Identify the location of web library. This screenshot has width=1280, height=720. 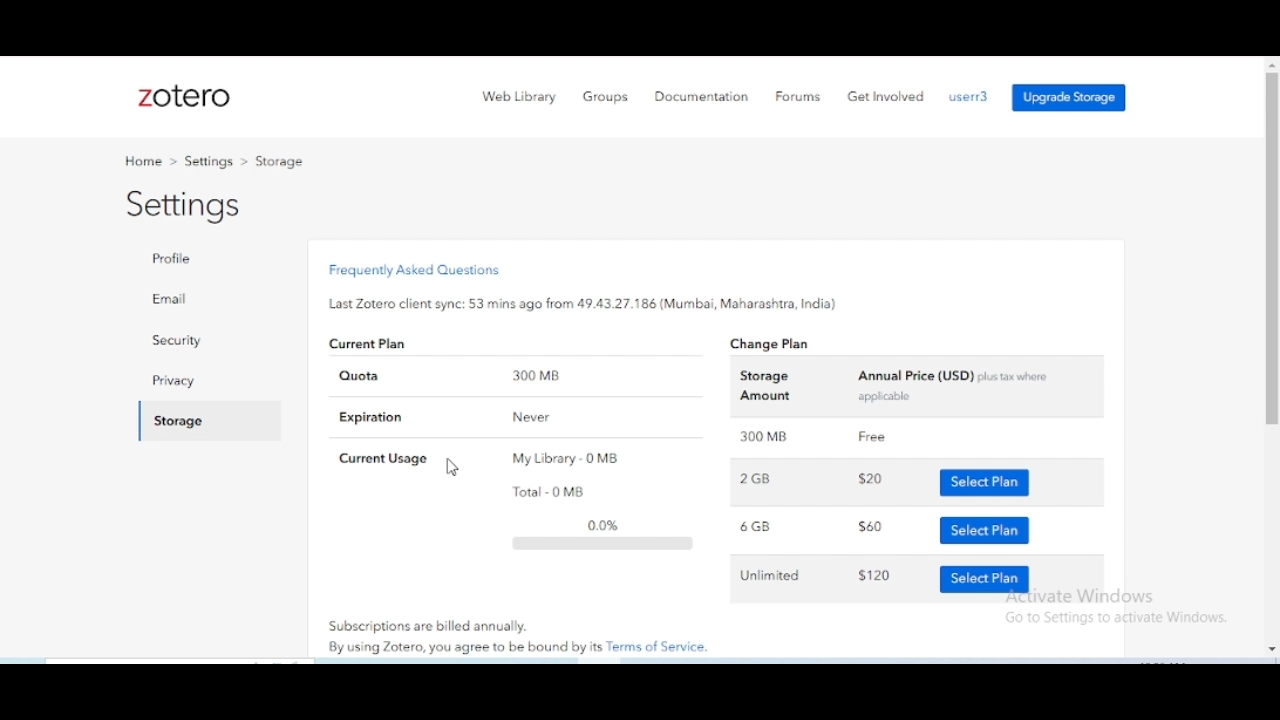
(521, 96).